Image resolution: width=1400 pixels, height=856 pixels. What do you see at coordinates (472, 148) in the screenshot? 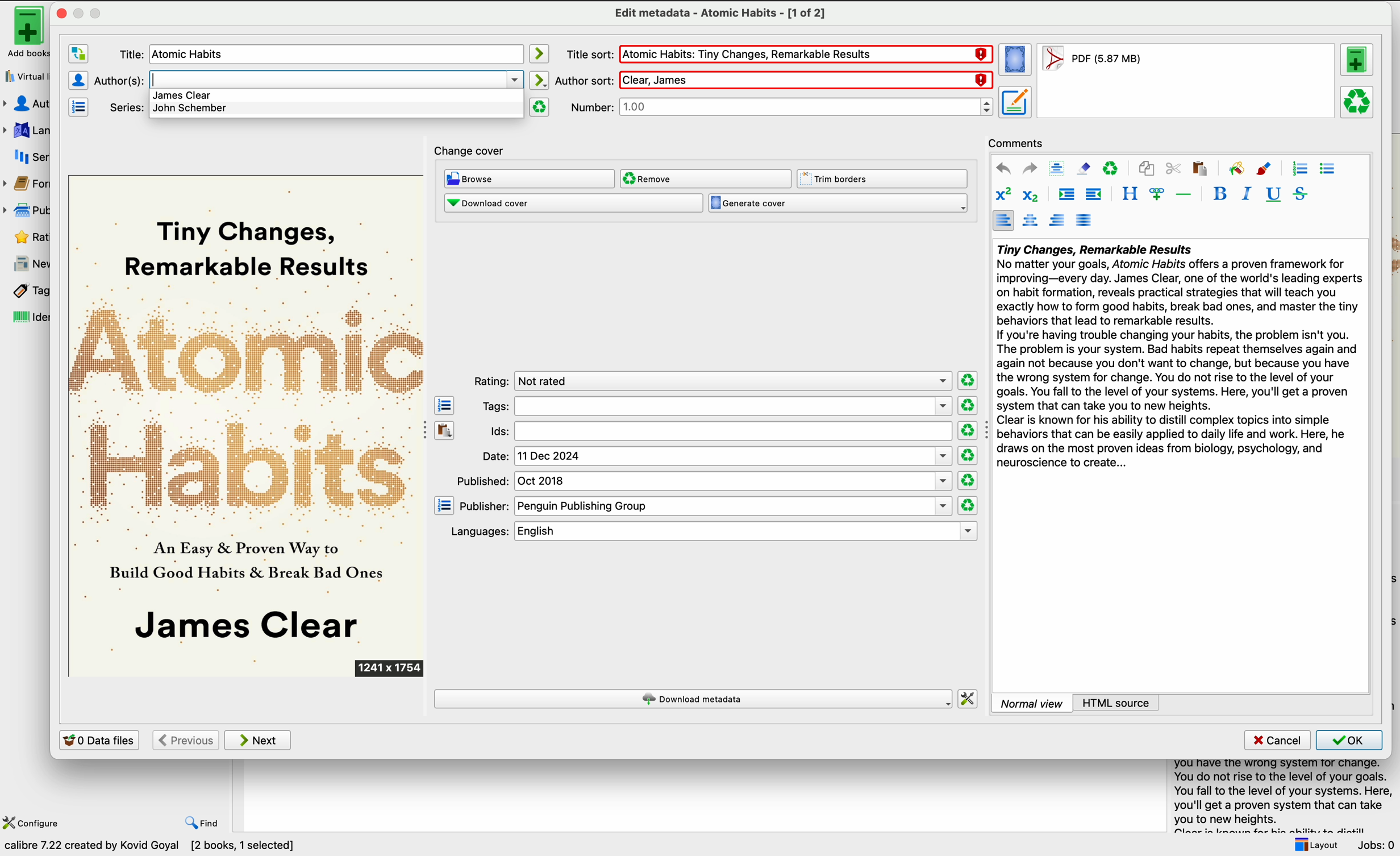
I see `change cover` at bounding box center [472, 148].